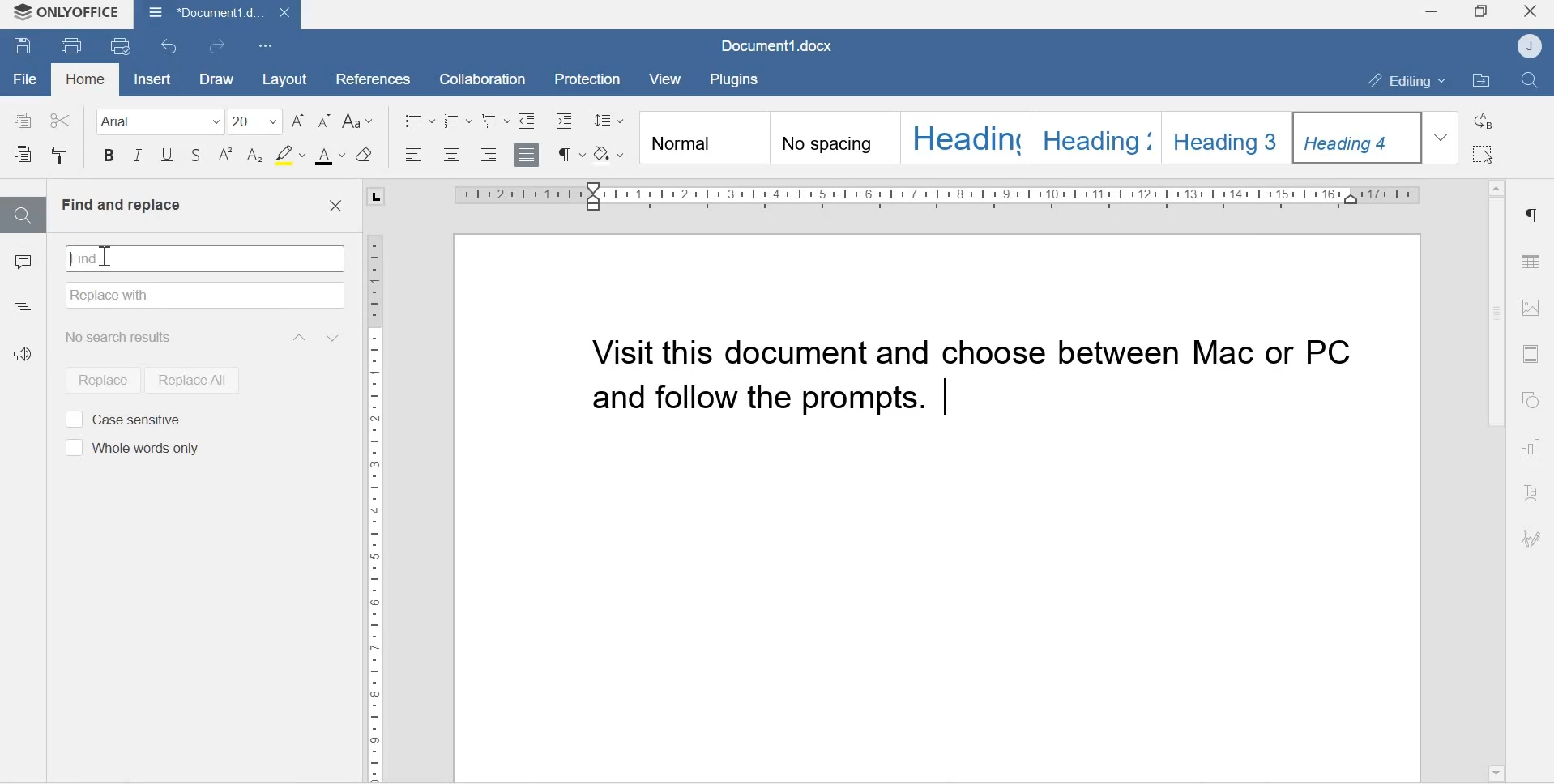  What do you see at coordinates (1533, 81) in the screenshot?
I see `Find` at bounding box center [1533, 81].